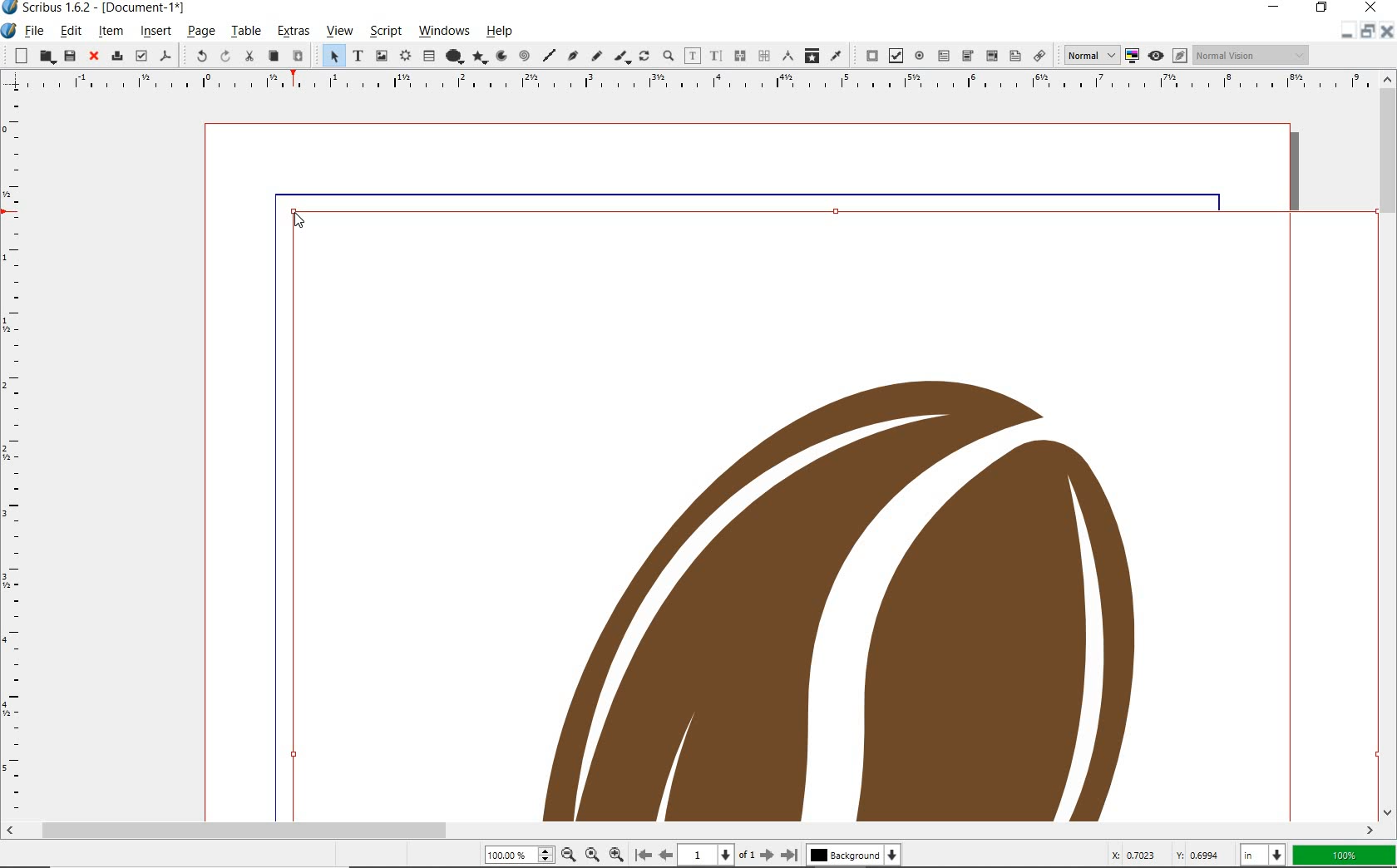 The image size is (1397, 868). Describe the element at coordinates (853, 856) in the screenshot. I see `Background` at that location.